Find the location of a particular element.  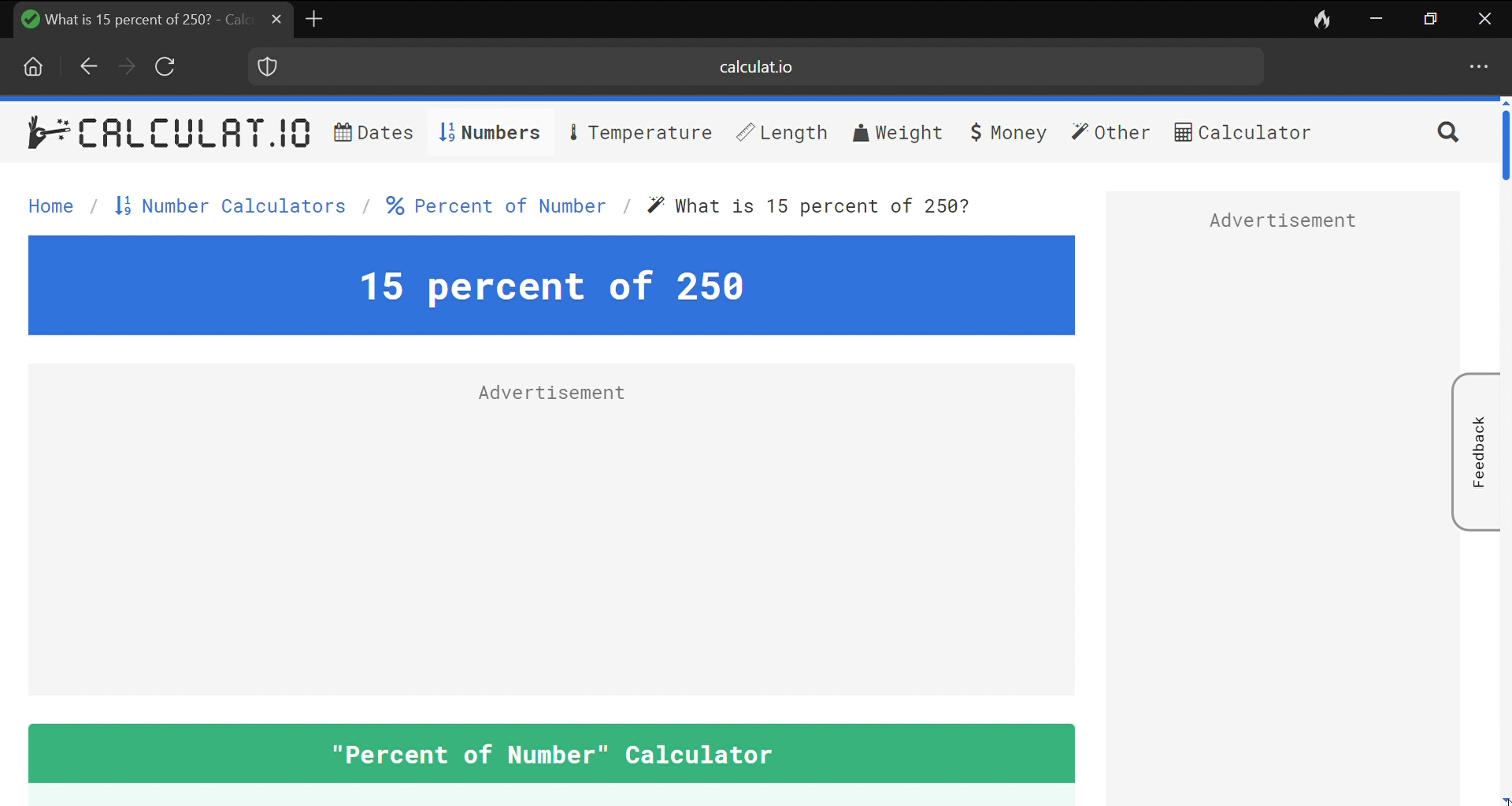

Vertical scrollbar is located at coordinates (1503, 146).